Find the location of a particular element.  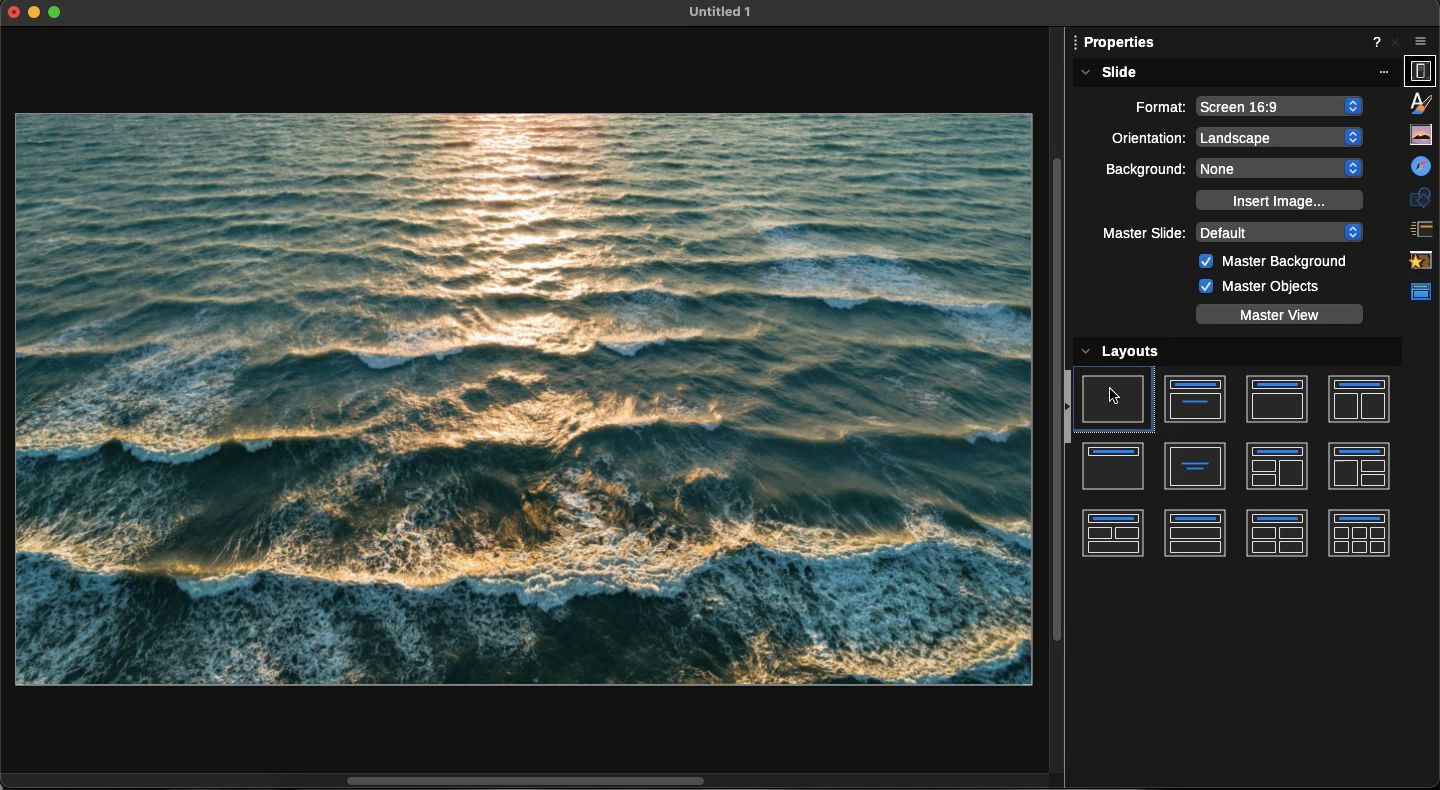

Title and six boxes is located at coordinates (1359, 533).